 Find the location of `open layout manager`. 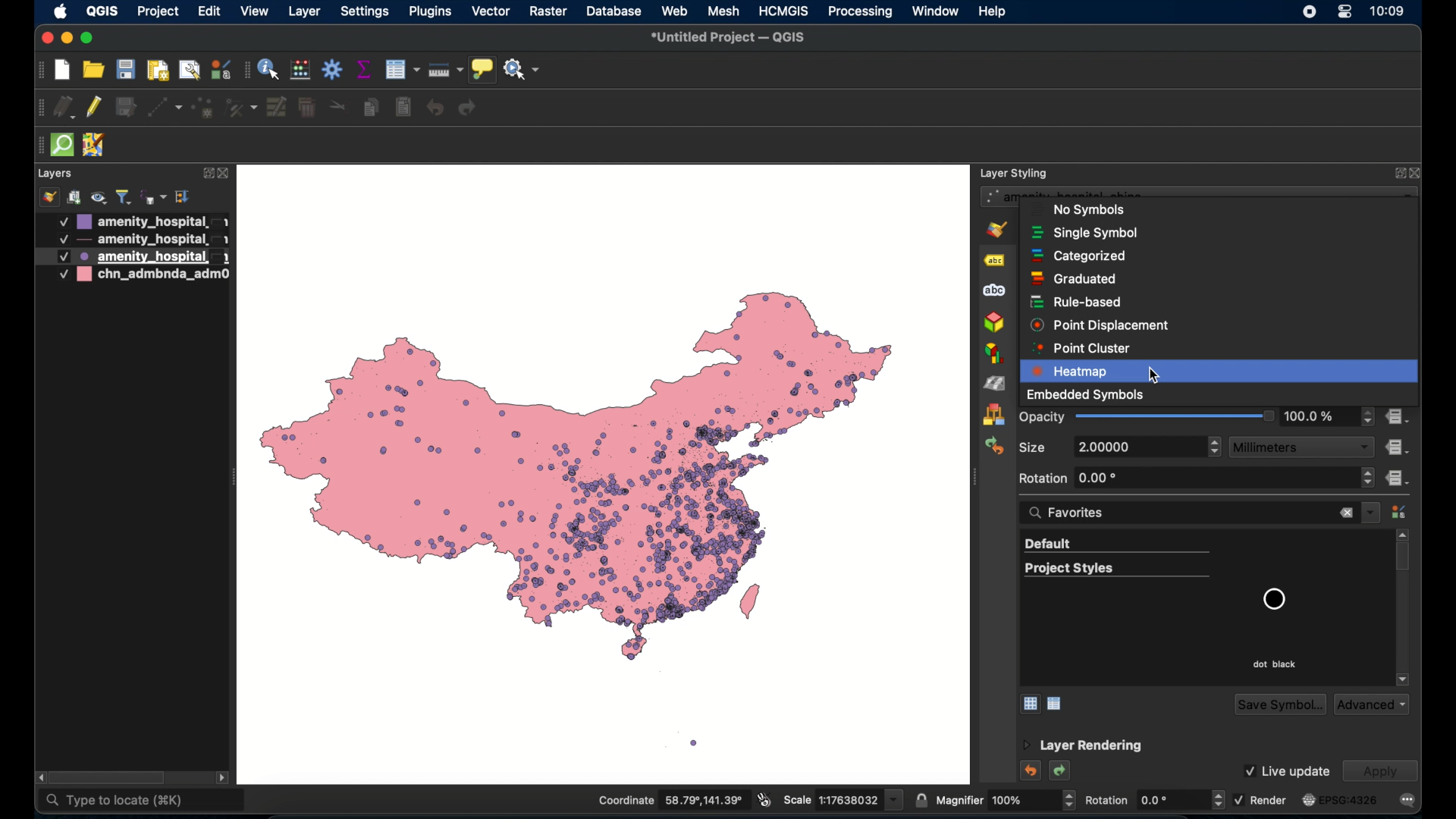

open layout manager is located at coordinates (188, 71).